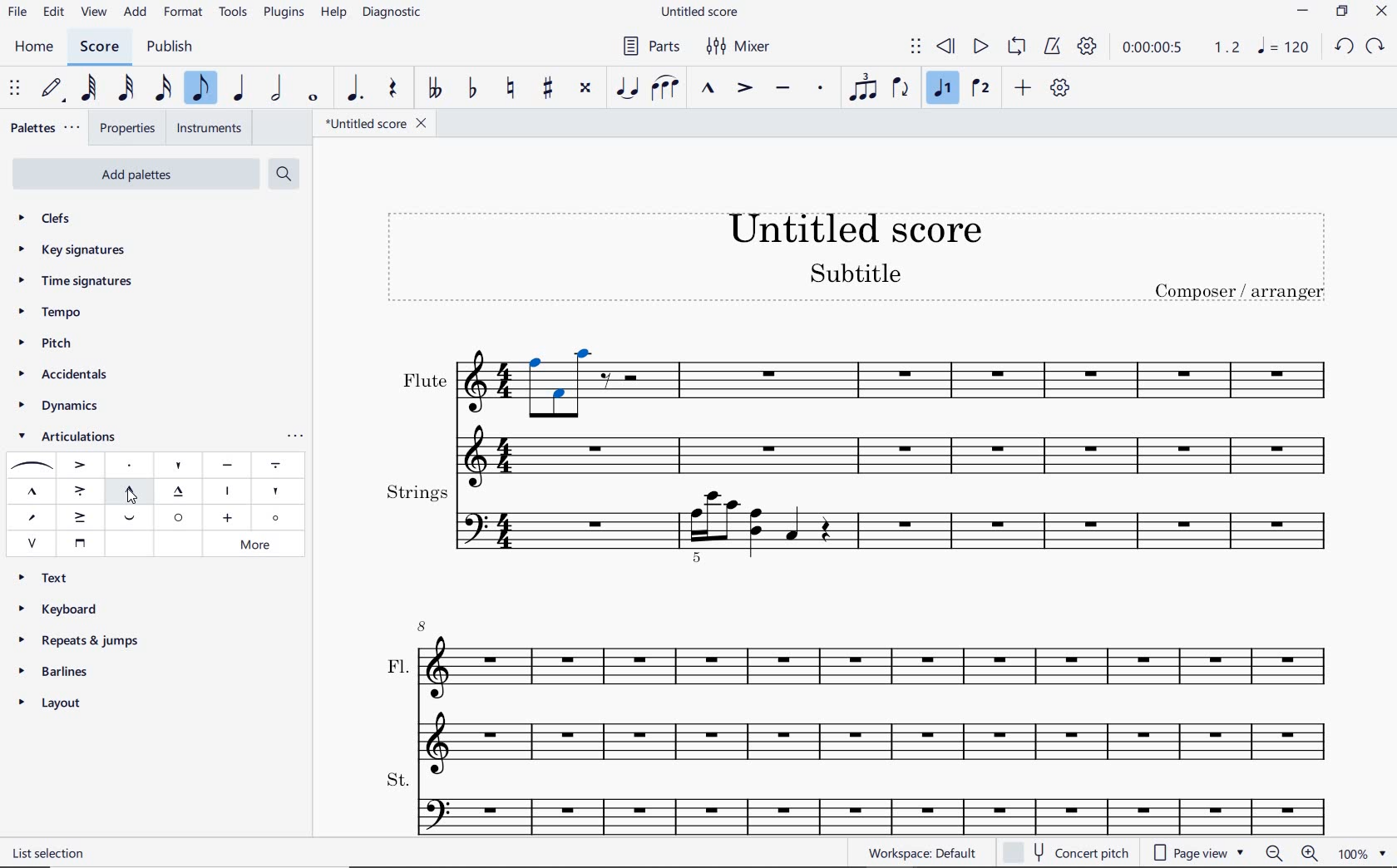 Image resolution: width=1397 pixels, height=868 pixels. I want to click on publish, so click(169, 47).